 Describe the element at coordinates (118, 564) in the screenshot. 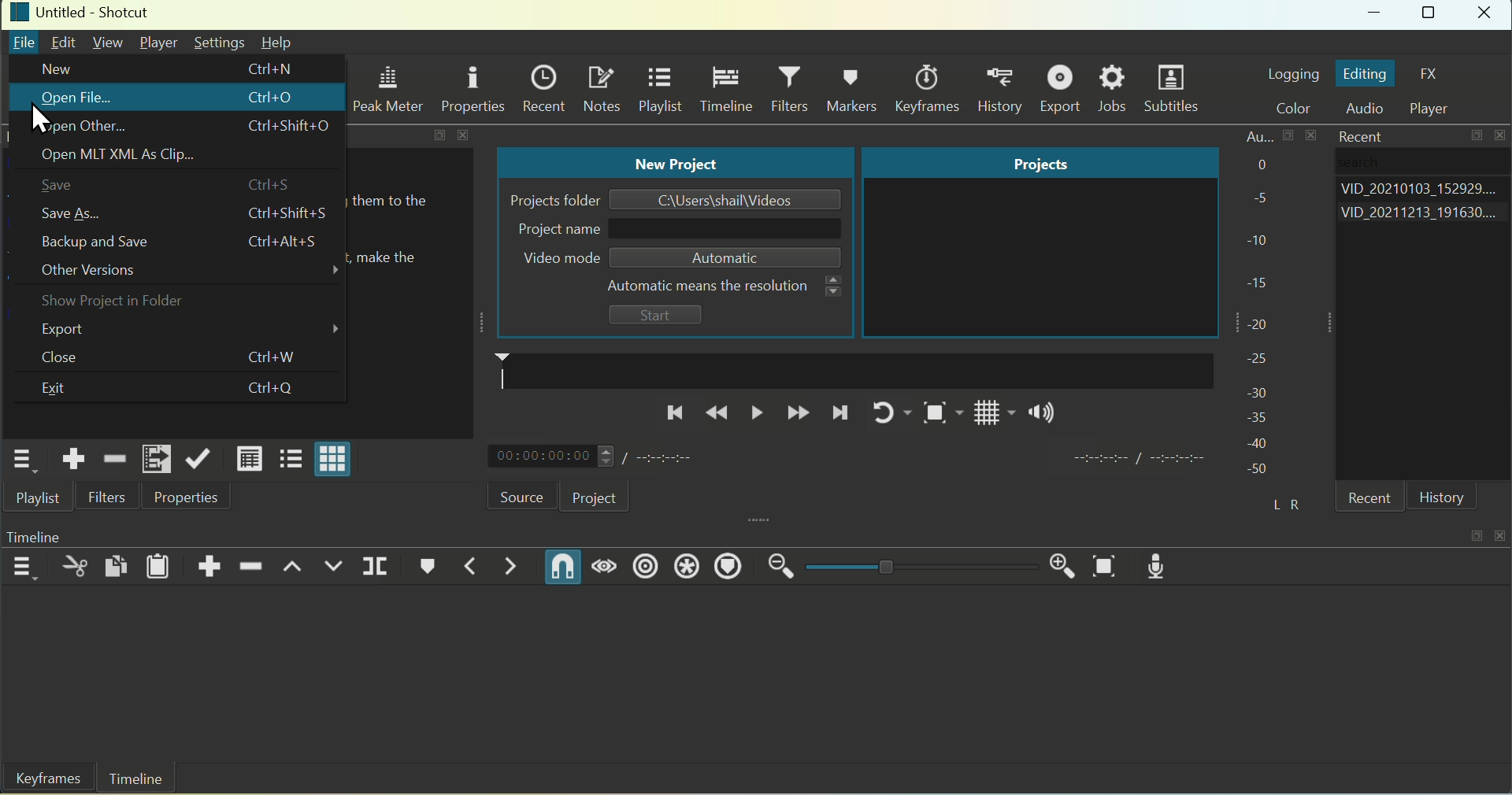

I see `Copy` at that location.